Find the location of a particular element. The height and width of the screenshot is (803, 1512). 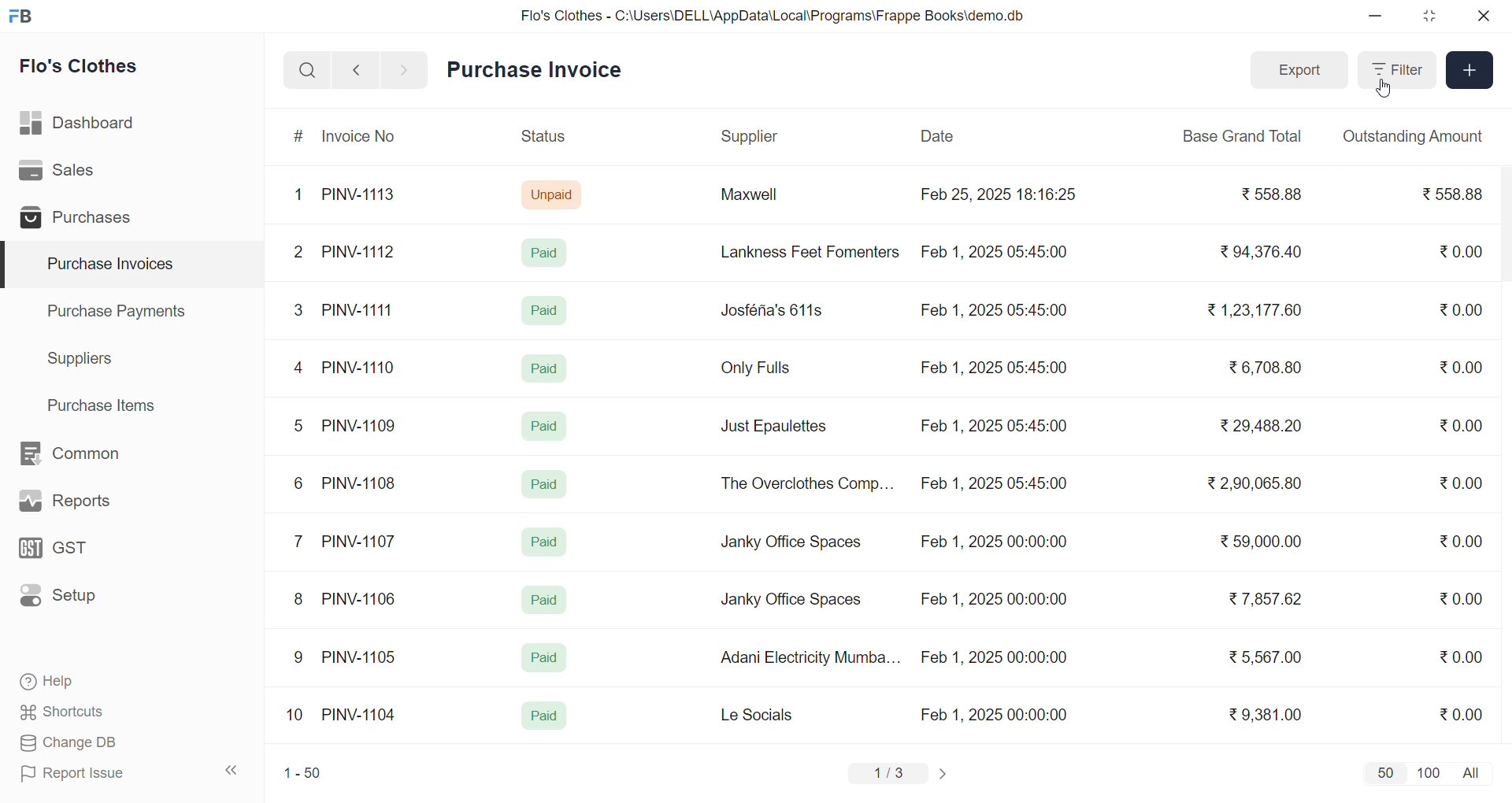

PINV-1112 is located at coordinates (358, 253).